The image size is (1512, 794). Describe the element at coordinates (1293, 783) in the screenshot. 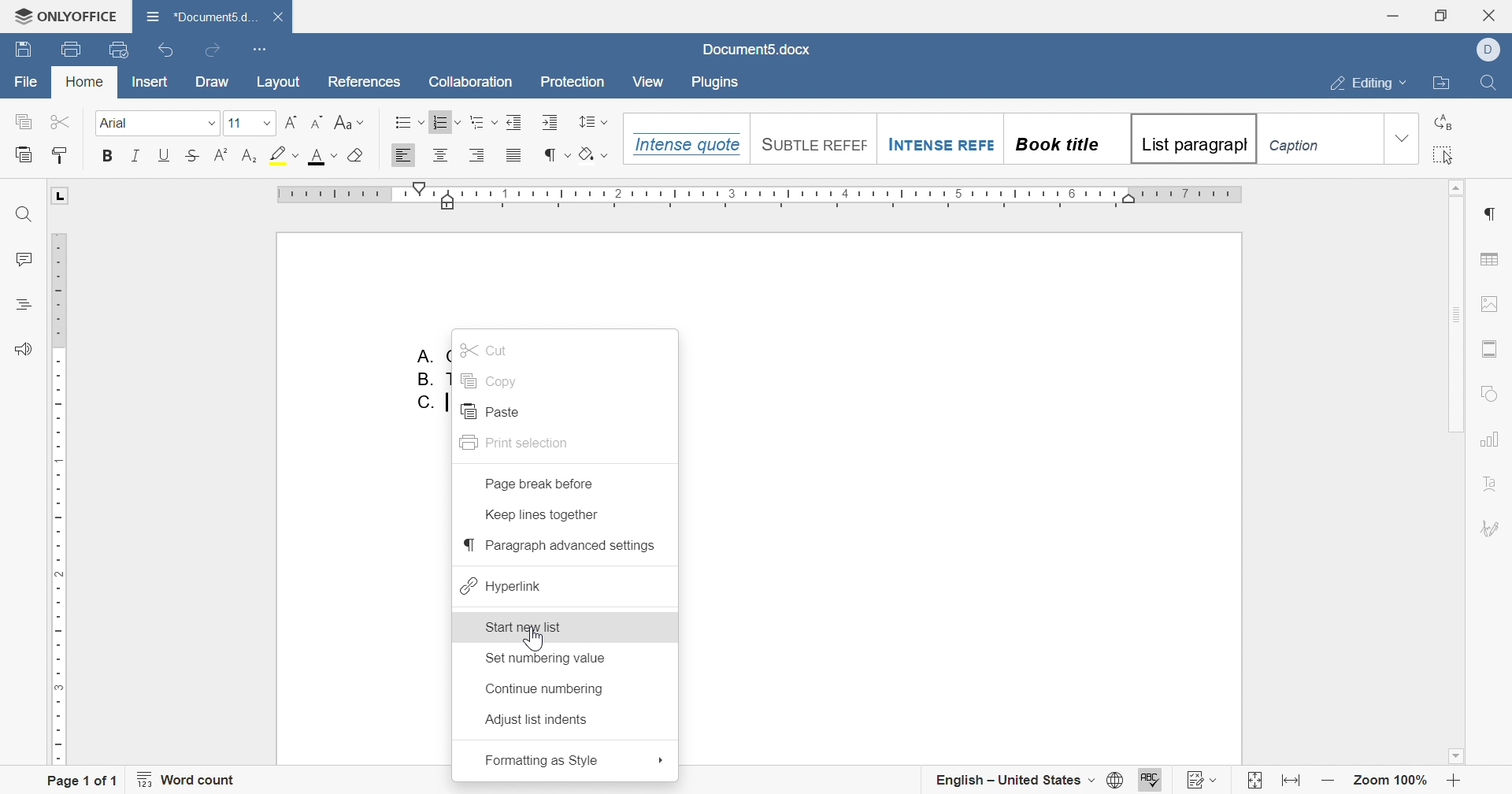

I see `fit to width` at that location.